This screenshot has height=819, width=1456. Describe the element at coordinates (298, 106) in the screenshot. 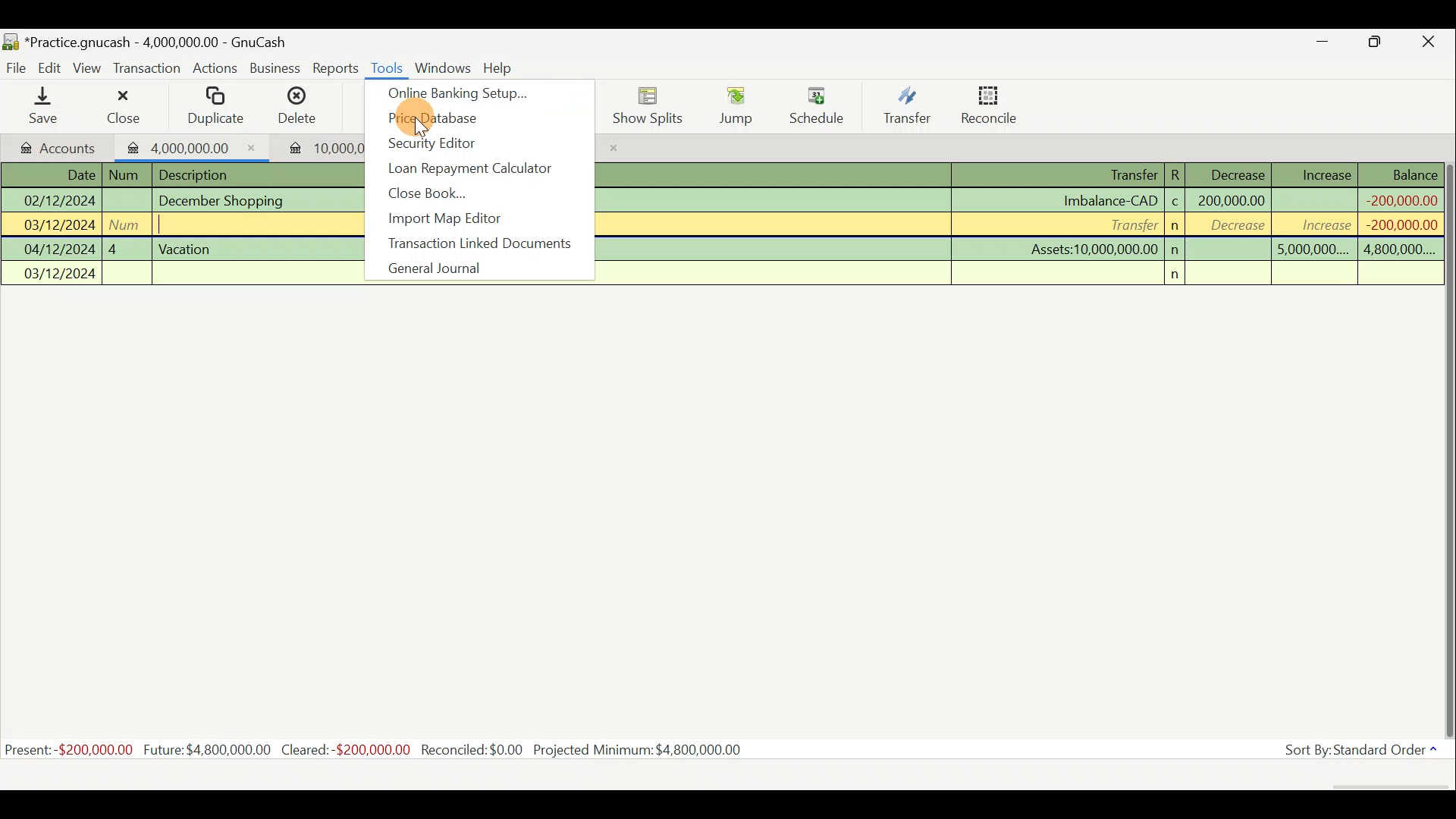

I see `Delete` at that location.